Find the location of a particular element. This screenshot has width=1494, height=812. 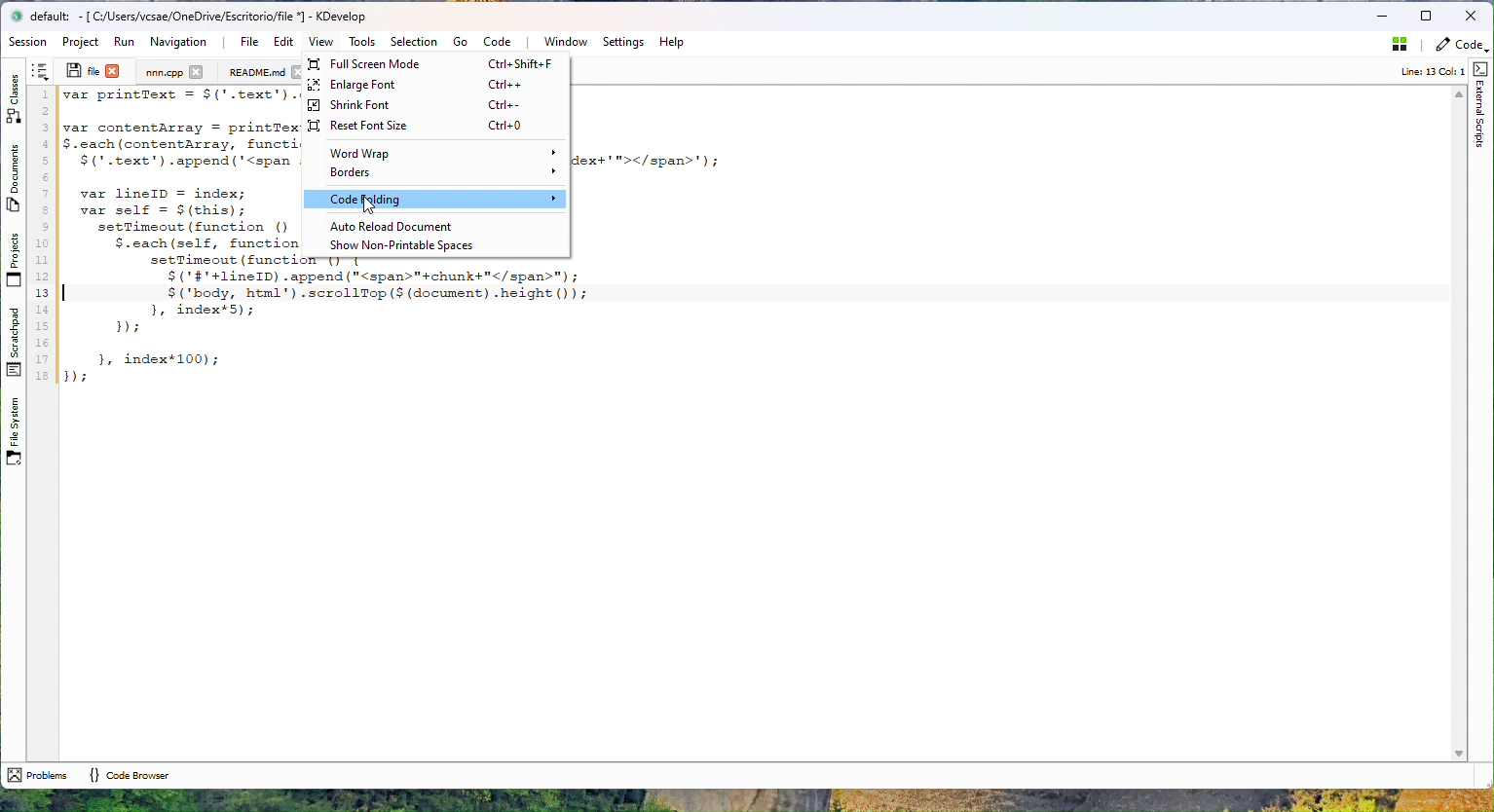

line numbers is located at coordinates (42, 237).